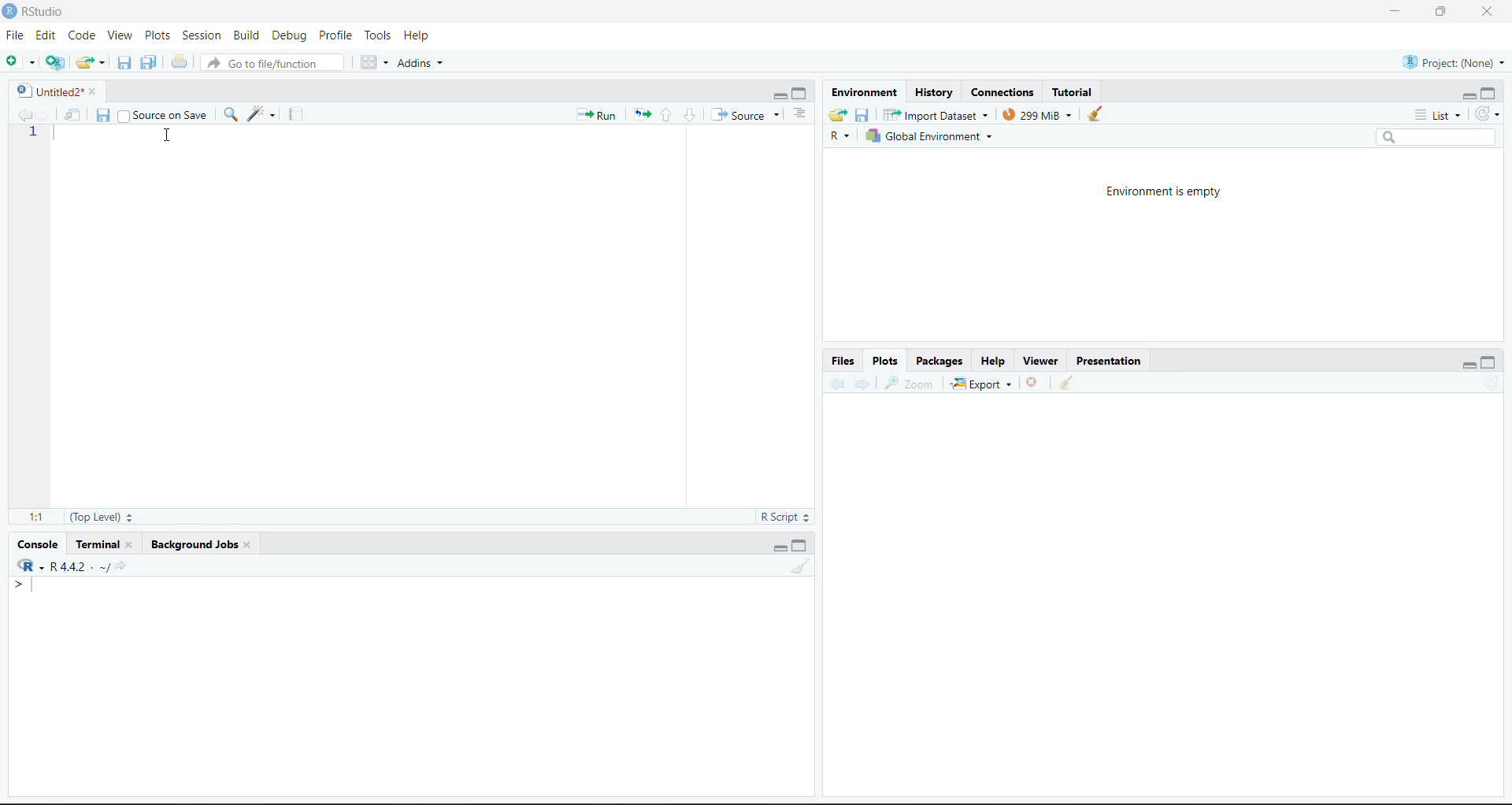 The height and width of the screenshot is (805, 1512). Describe the element at coordinates (863, 91) in the screenshot. I see `Environment` at that location.